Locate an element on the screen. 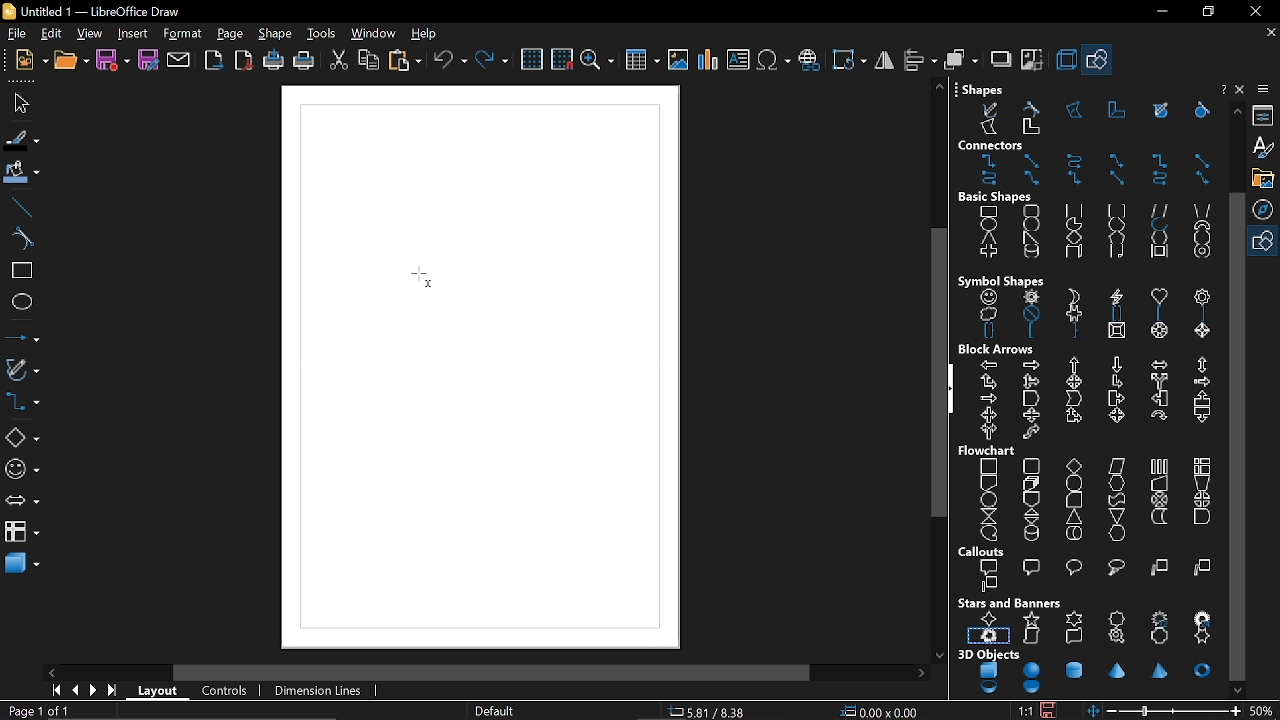  Untitled 1 - LibreOffice Draw is located at coordinates (95, 10).